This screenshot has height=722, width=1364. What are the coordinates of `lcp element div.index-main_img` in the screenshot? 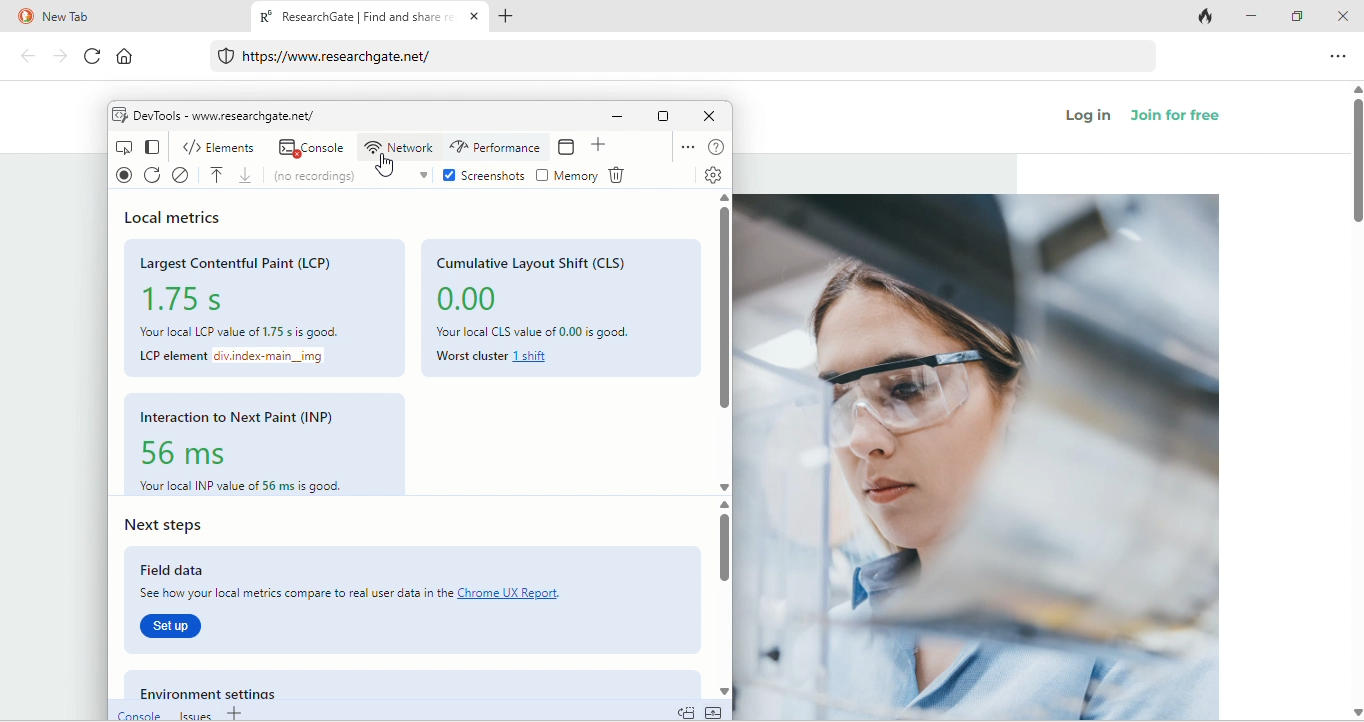 It's located at (233, 357).